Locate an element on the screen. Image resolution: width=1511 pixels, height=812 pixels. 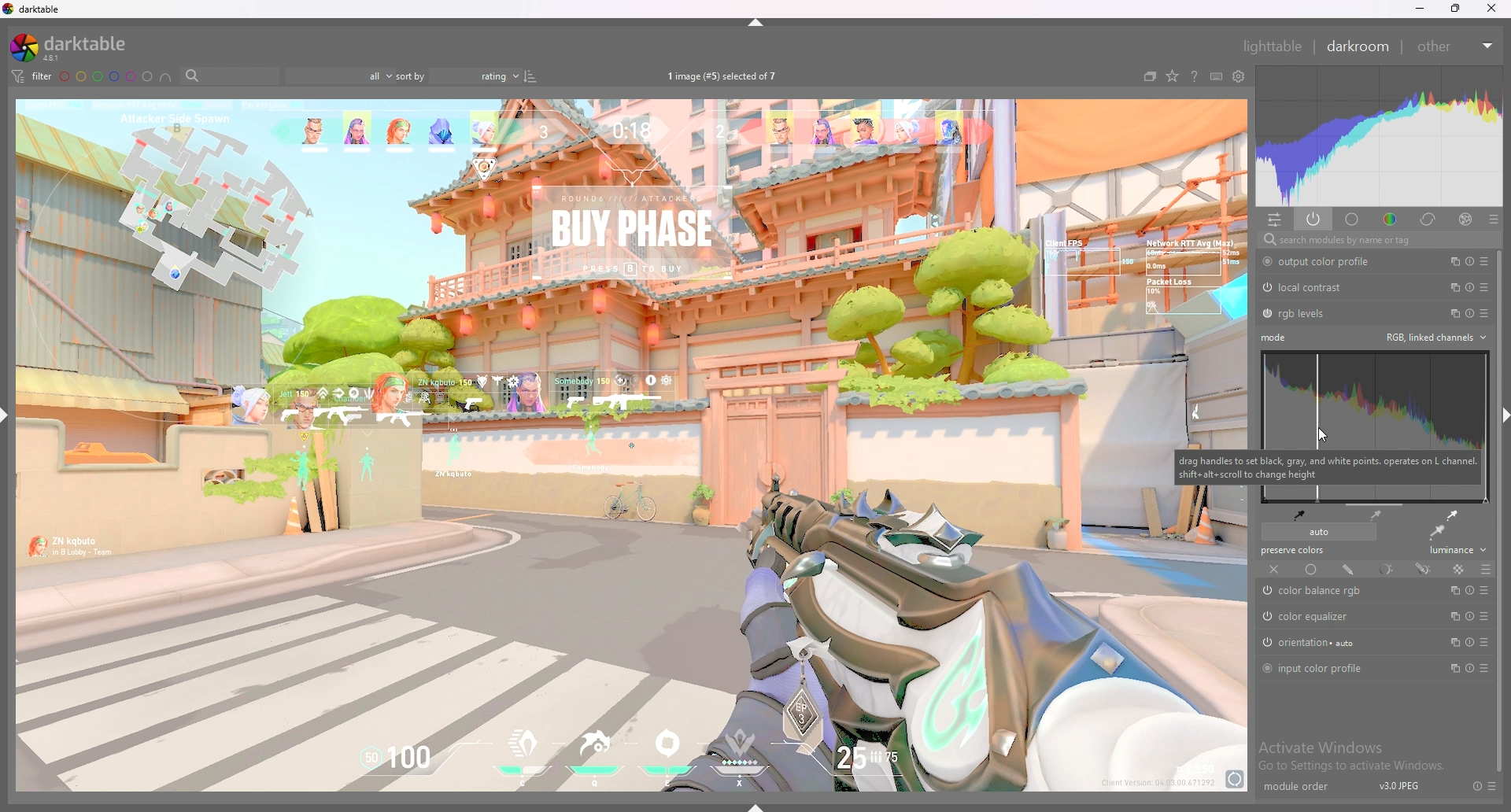
darkroom is located at coordinates (1358, 46).